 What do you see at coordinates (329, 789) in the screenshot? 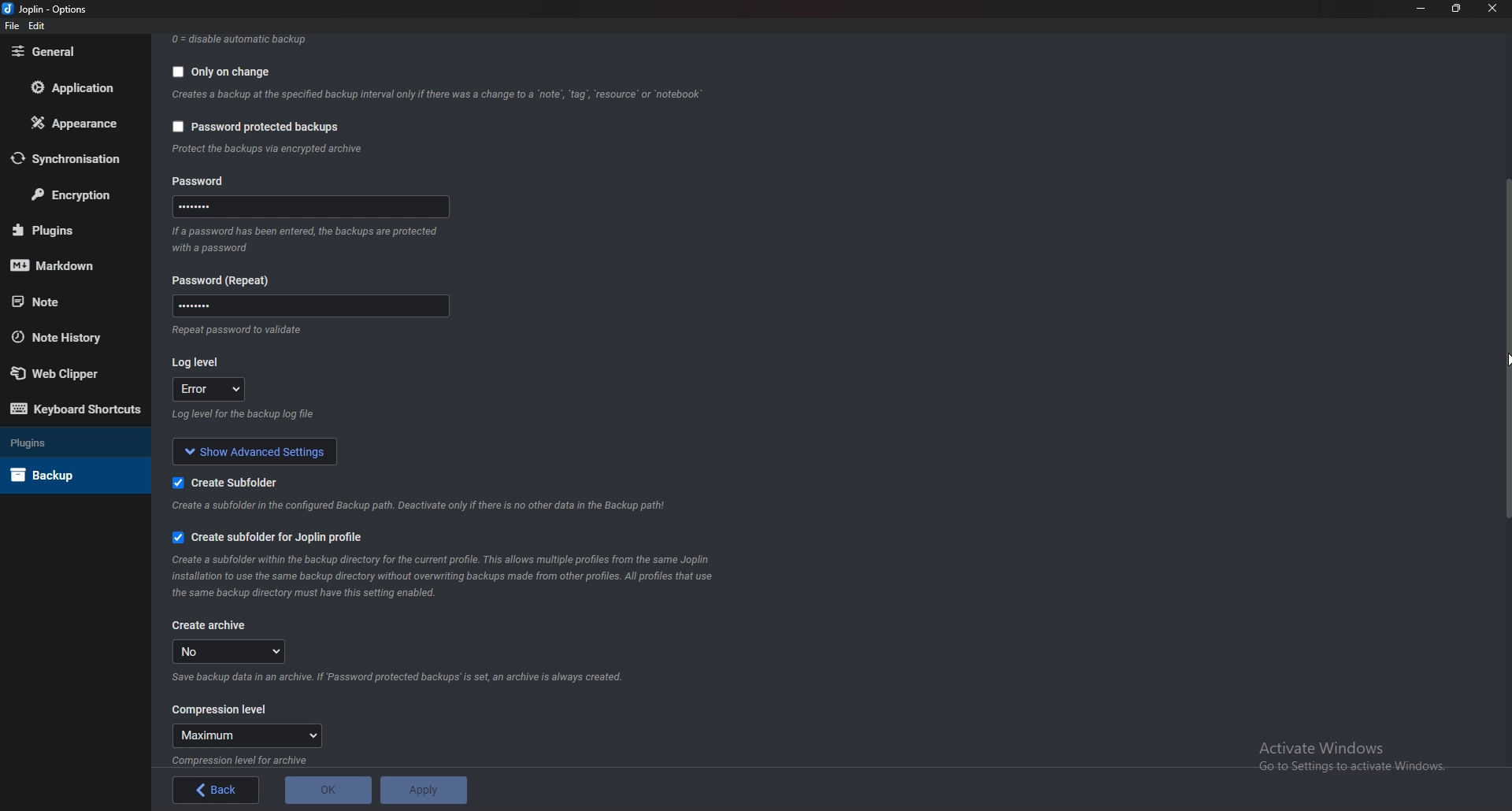
I see `O K` at bounding box center [329, 789].